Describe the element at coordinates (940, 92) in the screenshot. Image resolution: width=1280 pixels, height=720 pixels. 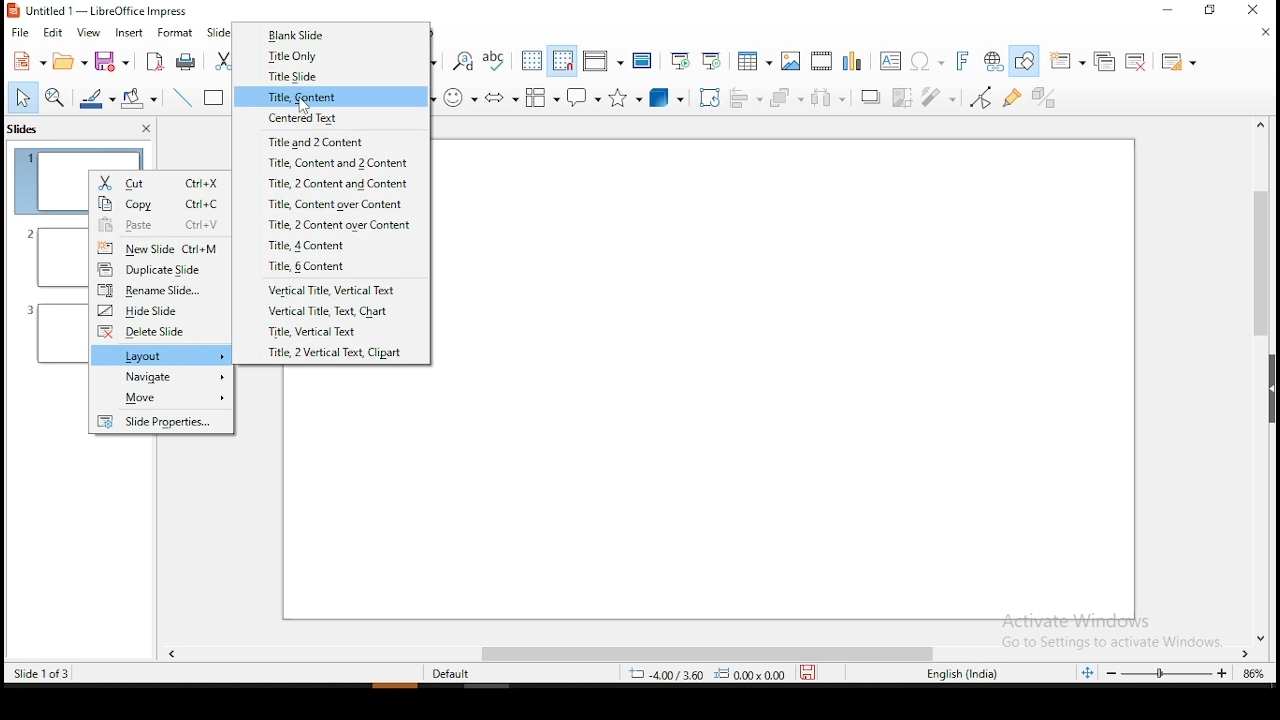
I see `filter` at that location.